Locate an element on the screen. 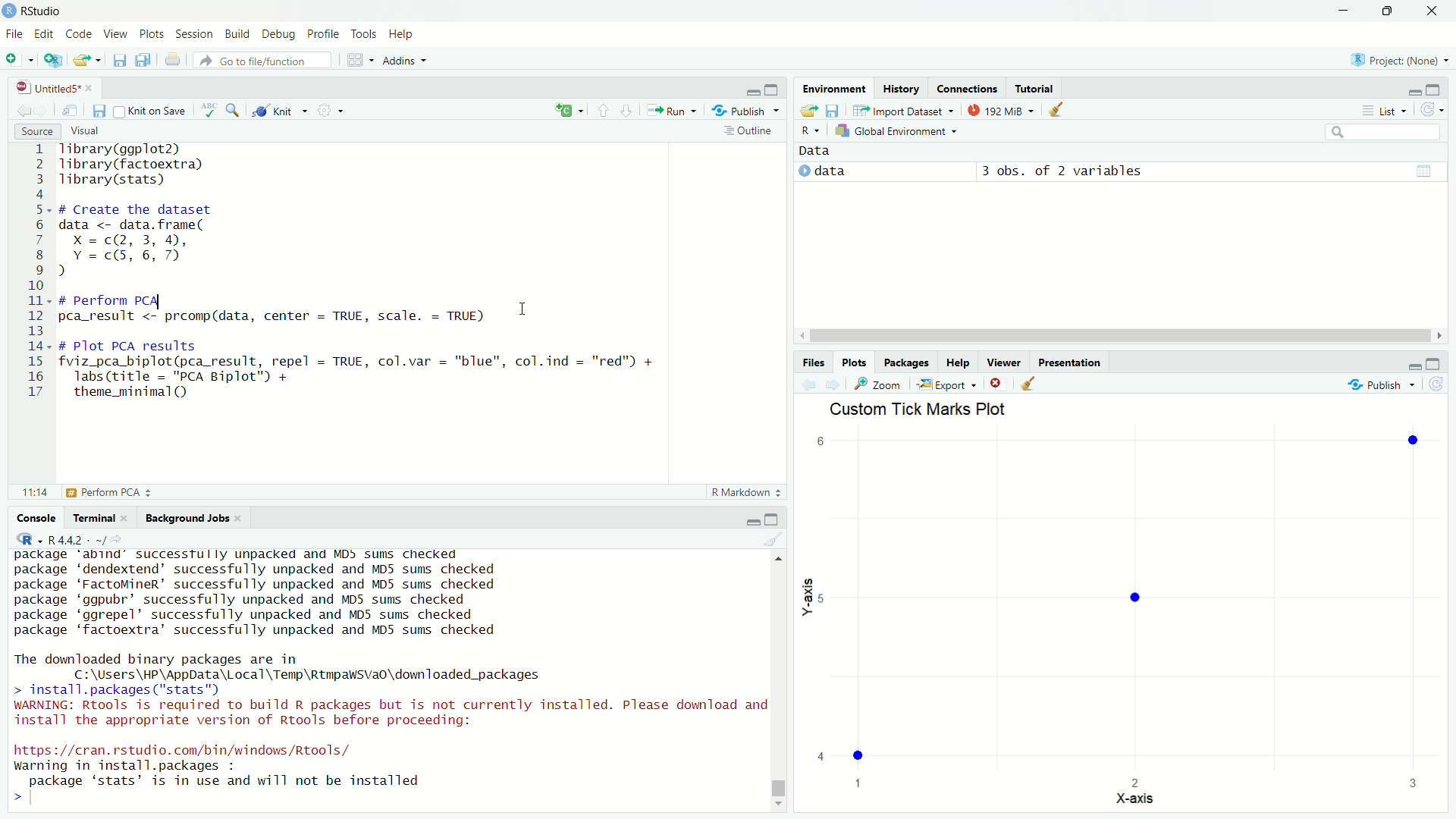 This screenshot has height=819, width=1456. New file is located at coordinates (18, 58).